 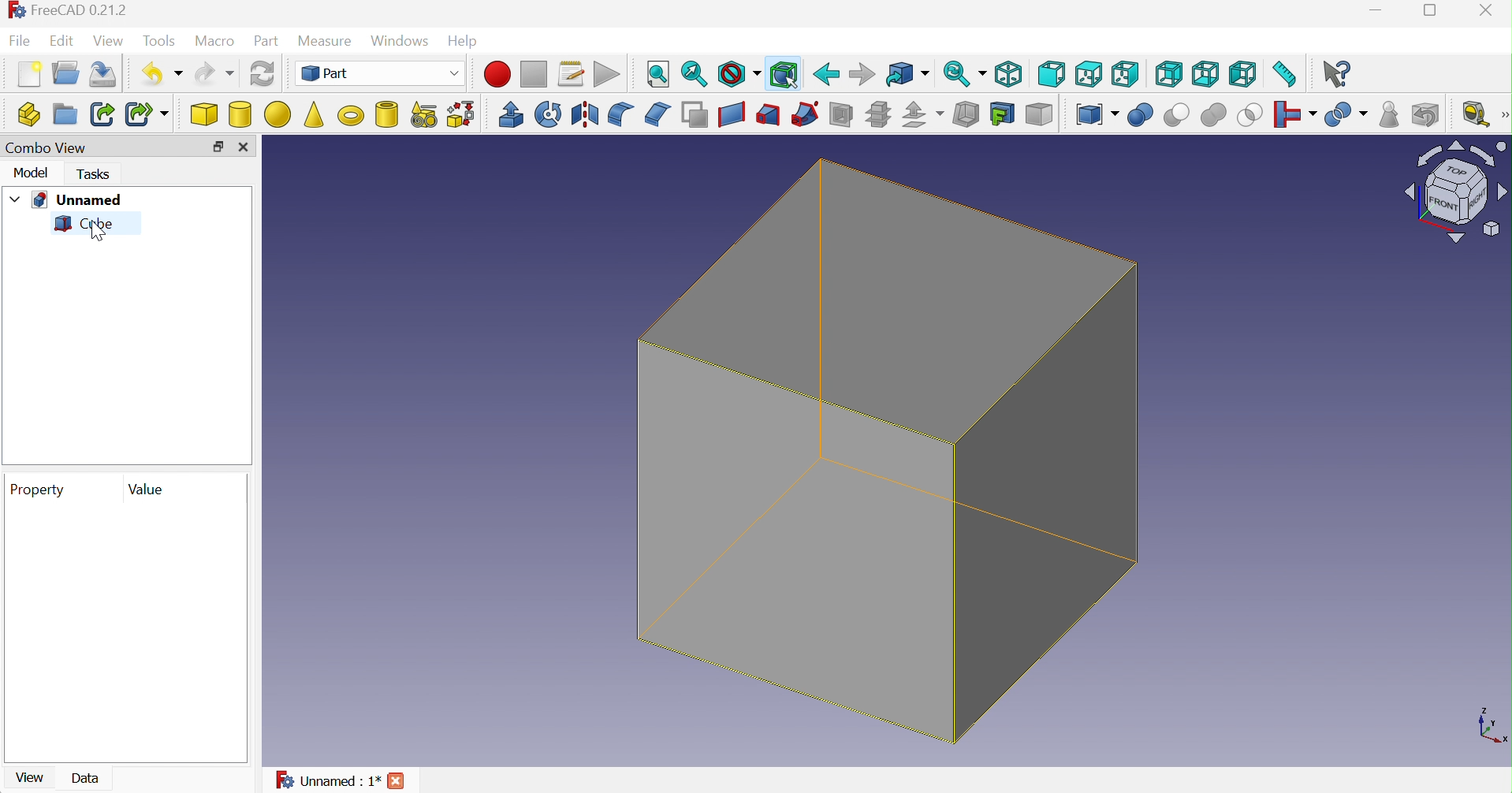 I want to click on Cube, so click(x=84, y=225).